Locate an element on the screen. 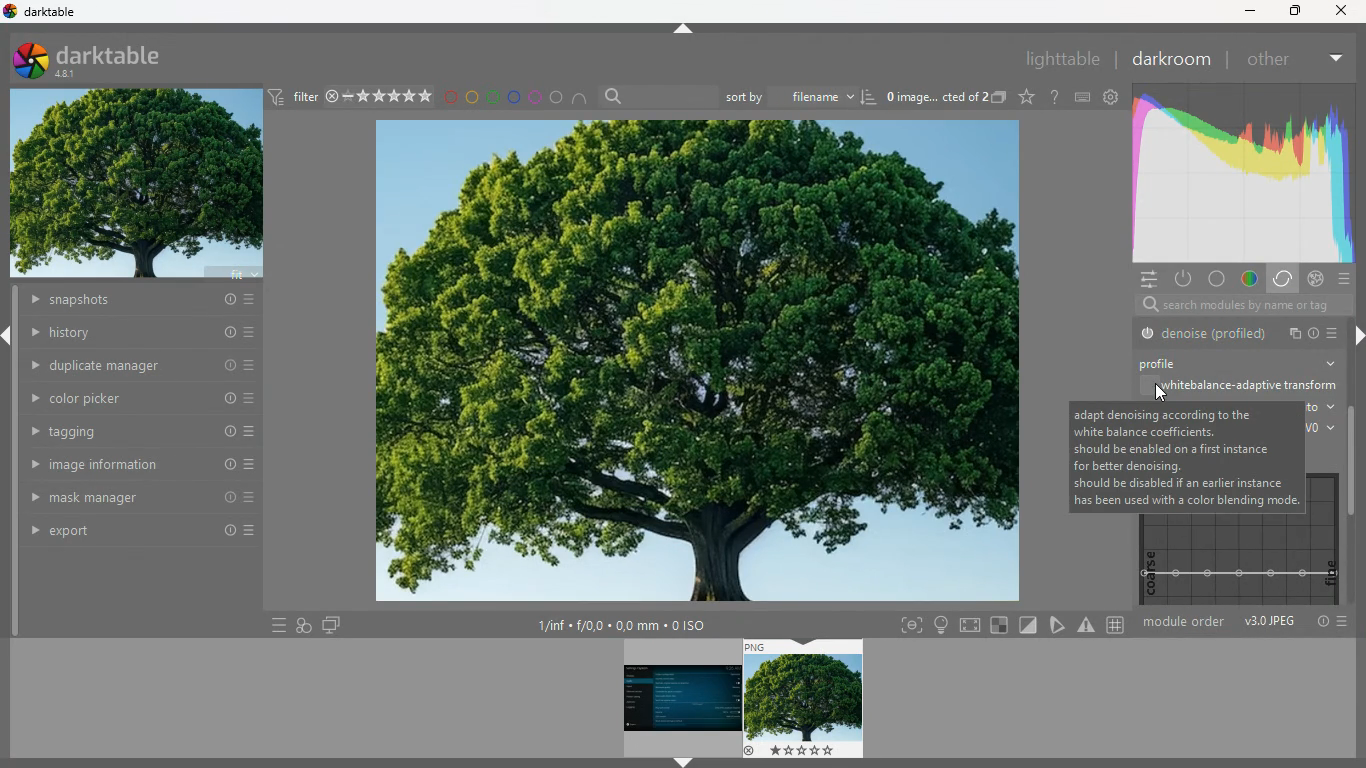 This screenshot has height=768, width=1366. lighttable is located at coordinates (1062, 61).